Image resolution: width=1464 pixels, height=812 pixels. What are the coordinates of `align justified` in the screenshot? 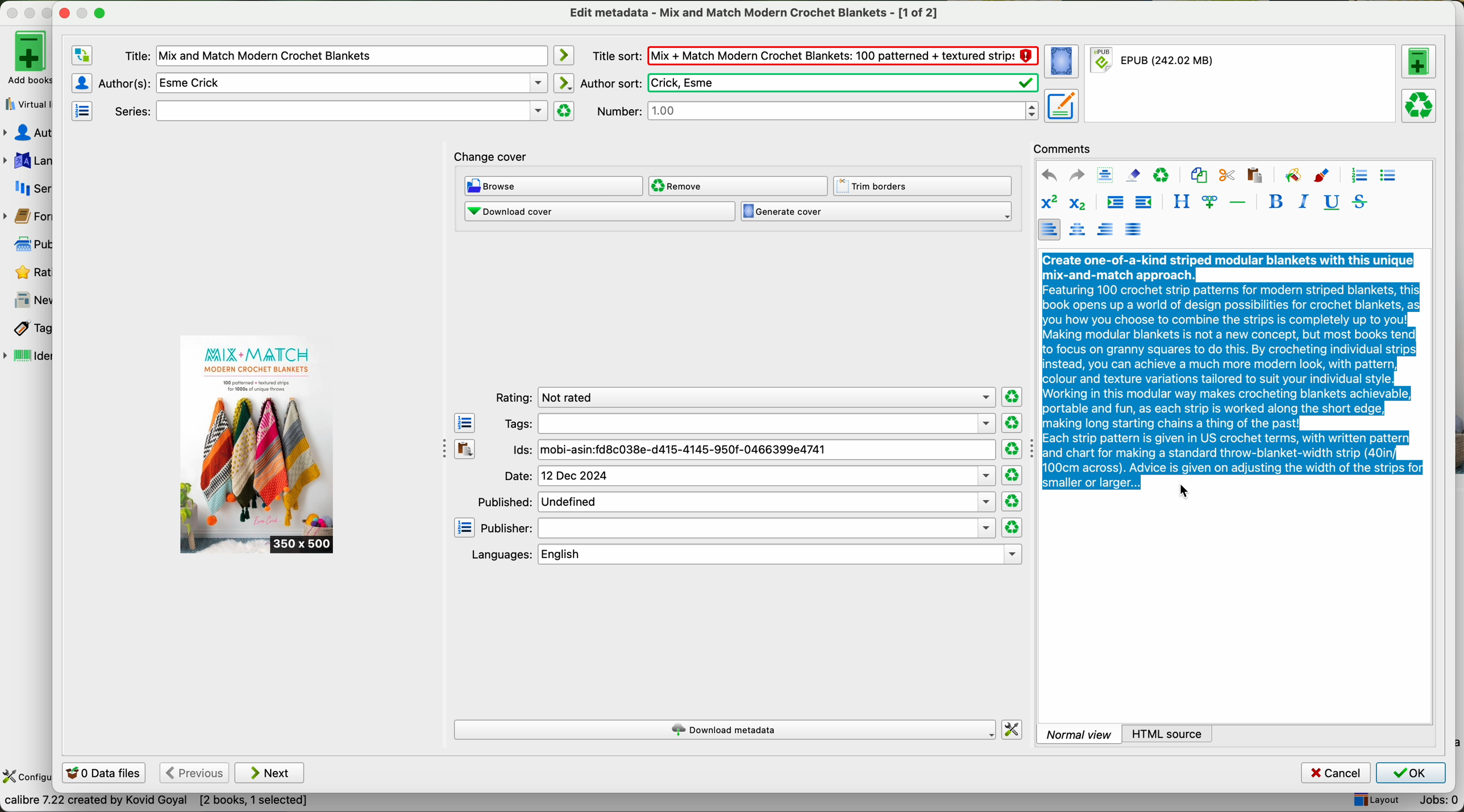 It's located at (1133, 228).